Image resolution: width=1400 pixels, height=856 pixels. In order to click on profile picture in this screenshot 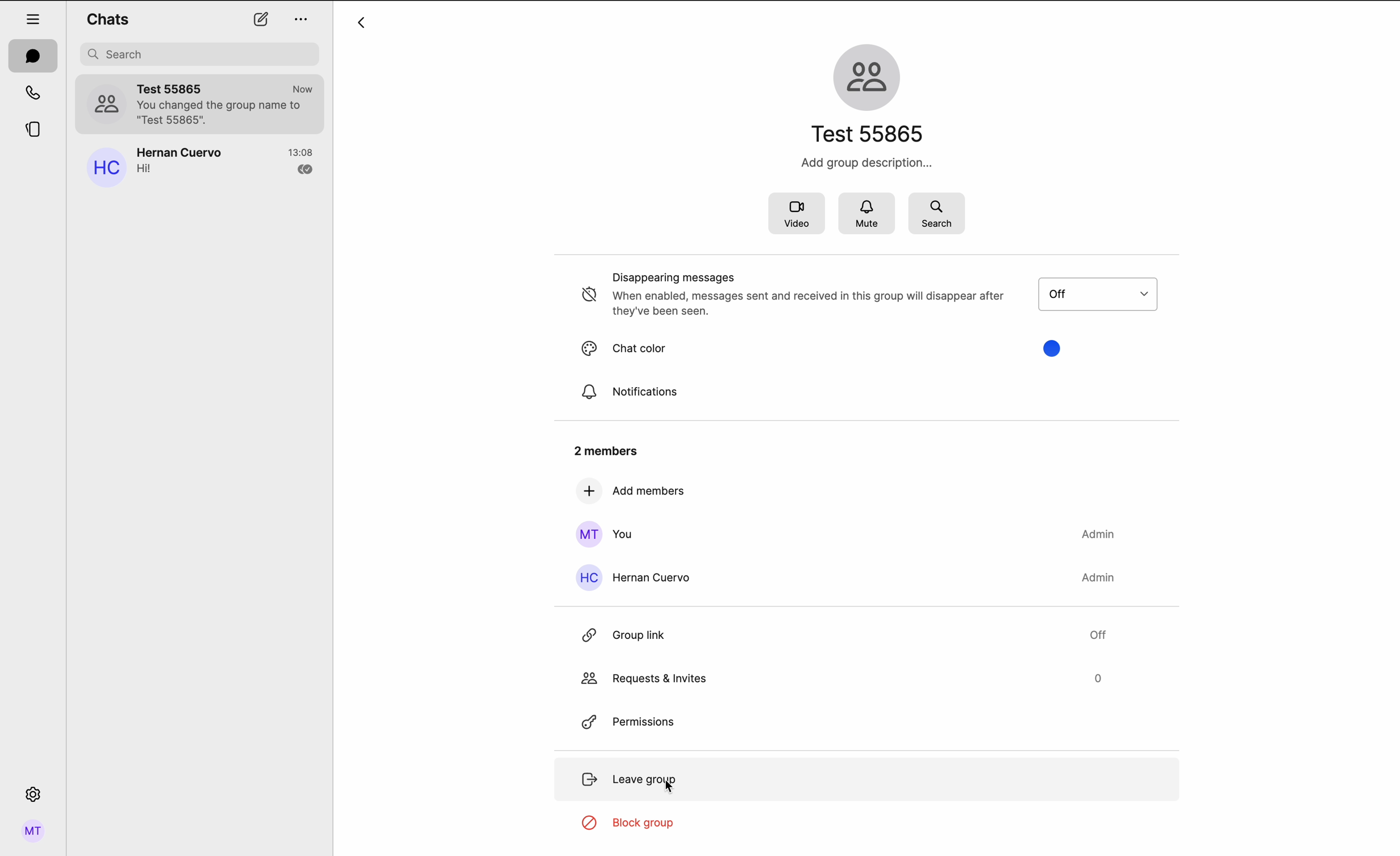, I will do `click(105, 102)`.